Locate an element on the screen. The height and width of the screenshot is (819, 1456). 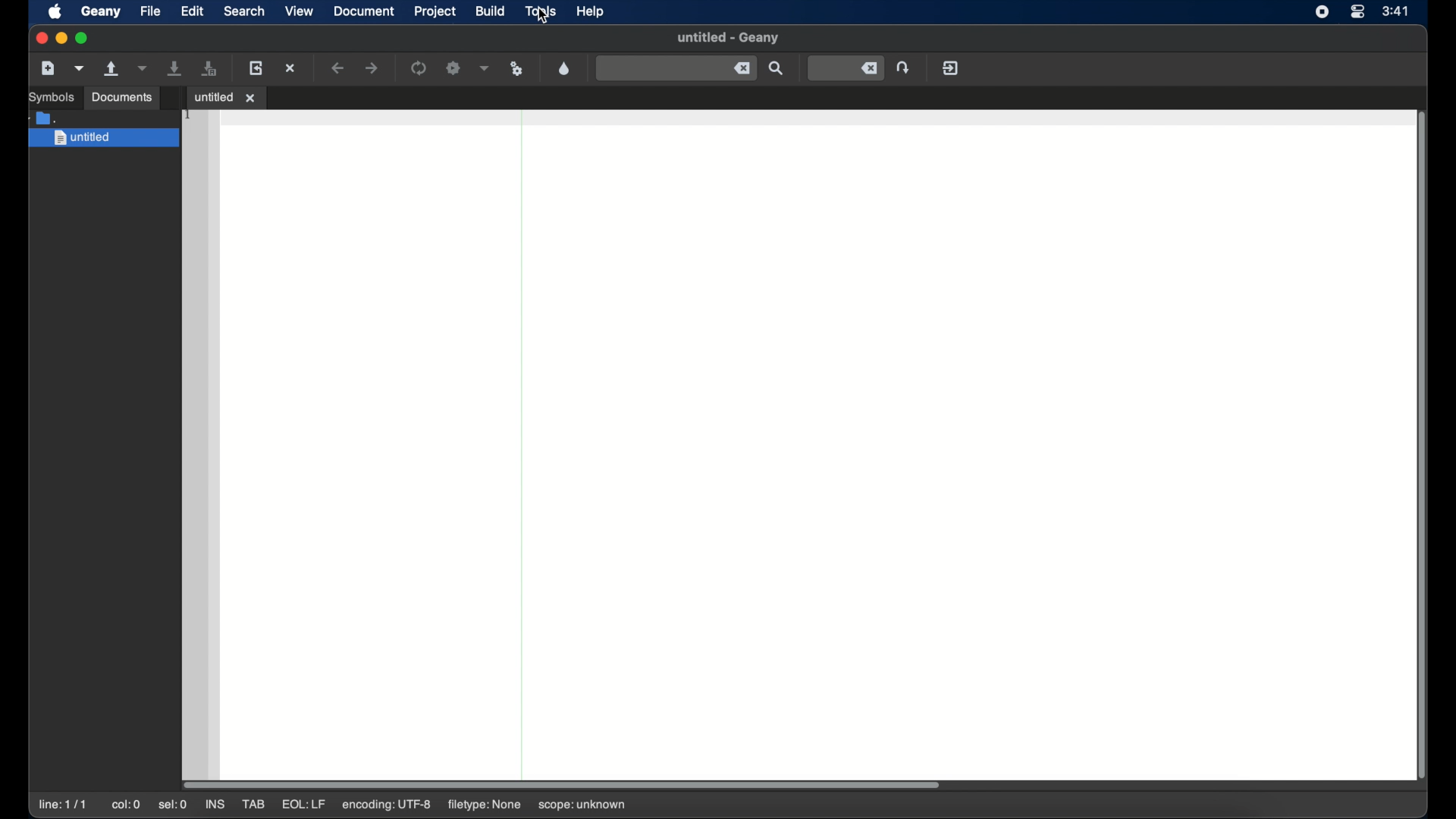
close is located at coordinates (40, 39).